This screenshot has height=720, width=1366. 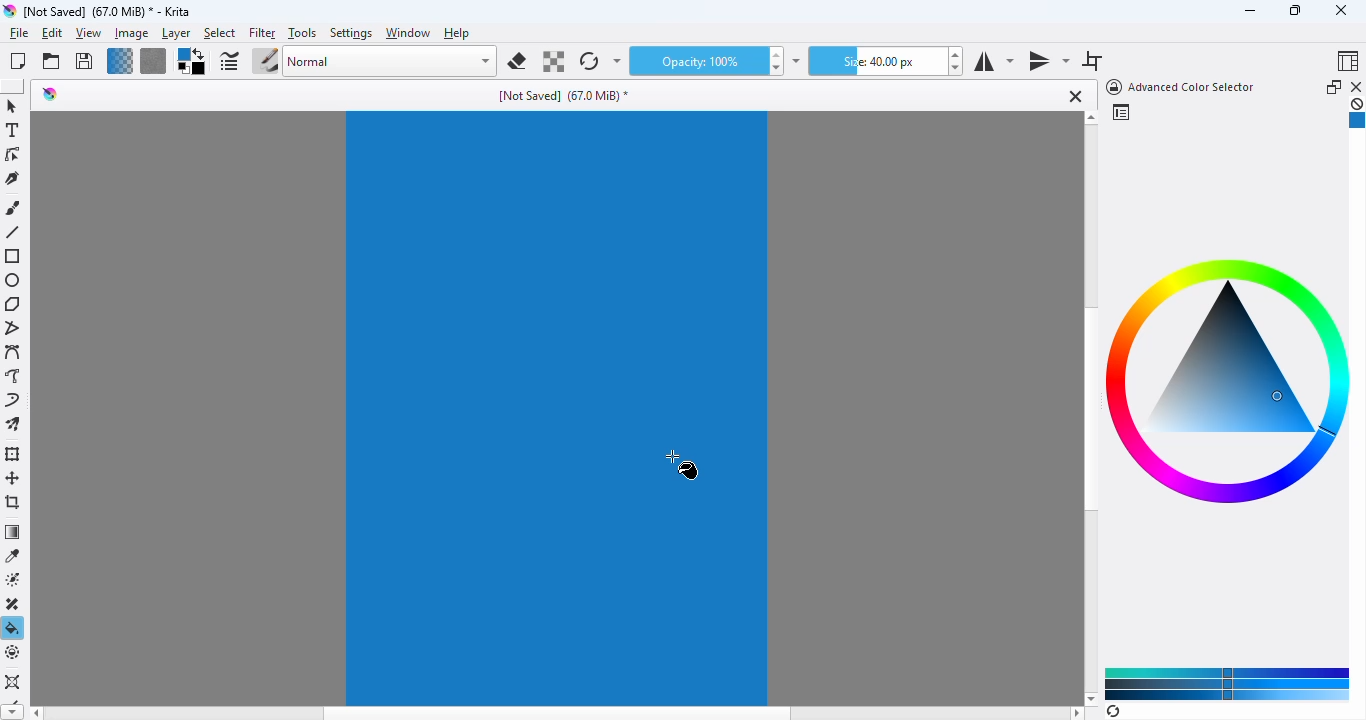 What do you see at coordinates (9, 11) in the screenshot?
I see `logo` at bounding box center [9, 11].